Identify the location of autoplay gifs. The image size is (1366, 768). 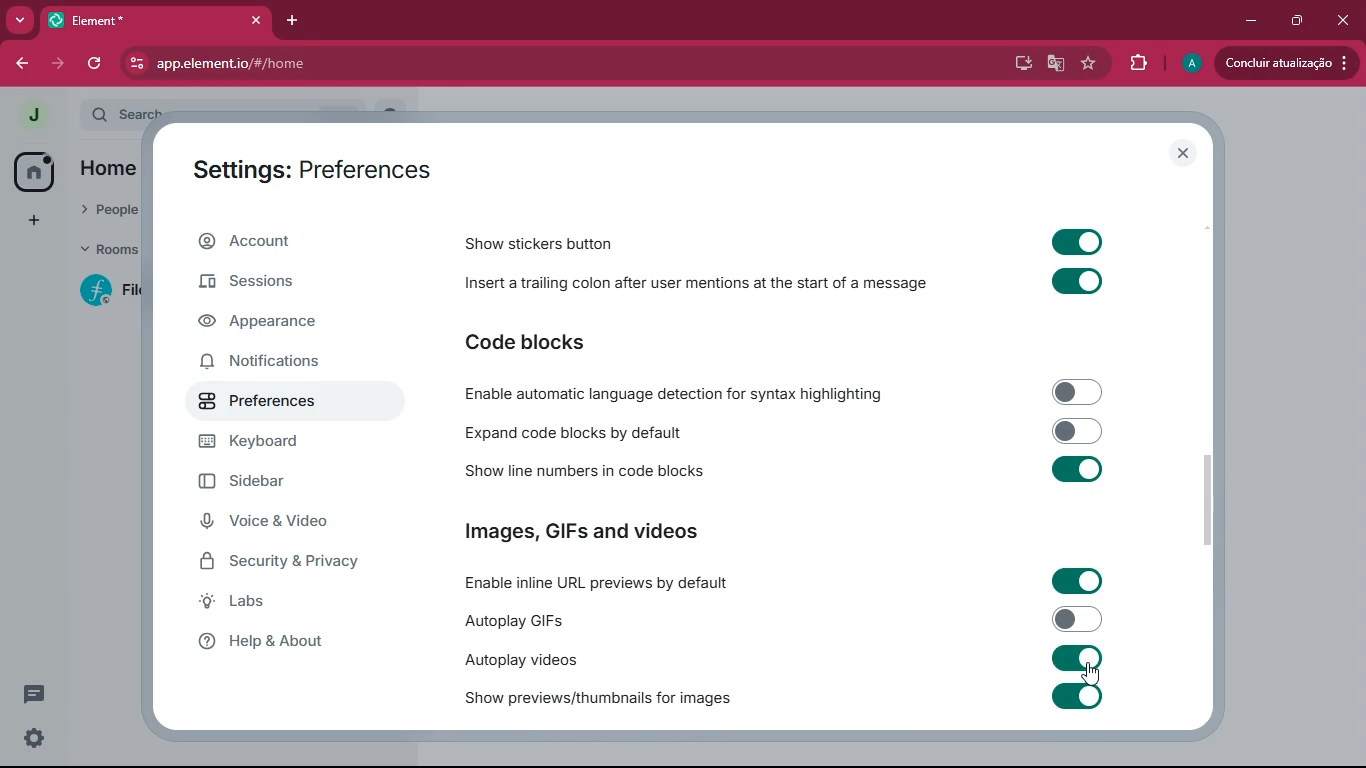
(511, 620).